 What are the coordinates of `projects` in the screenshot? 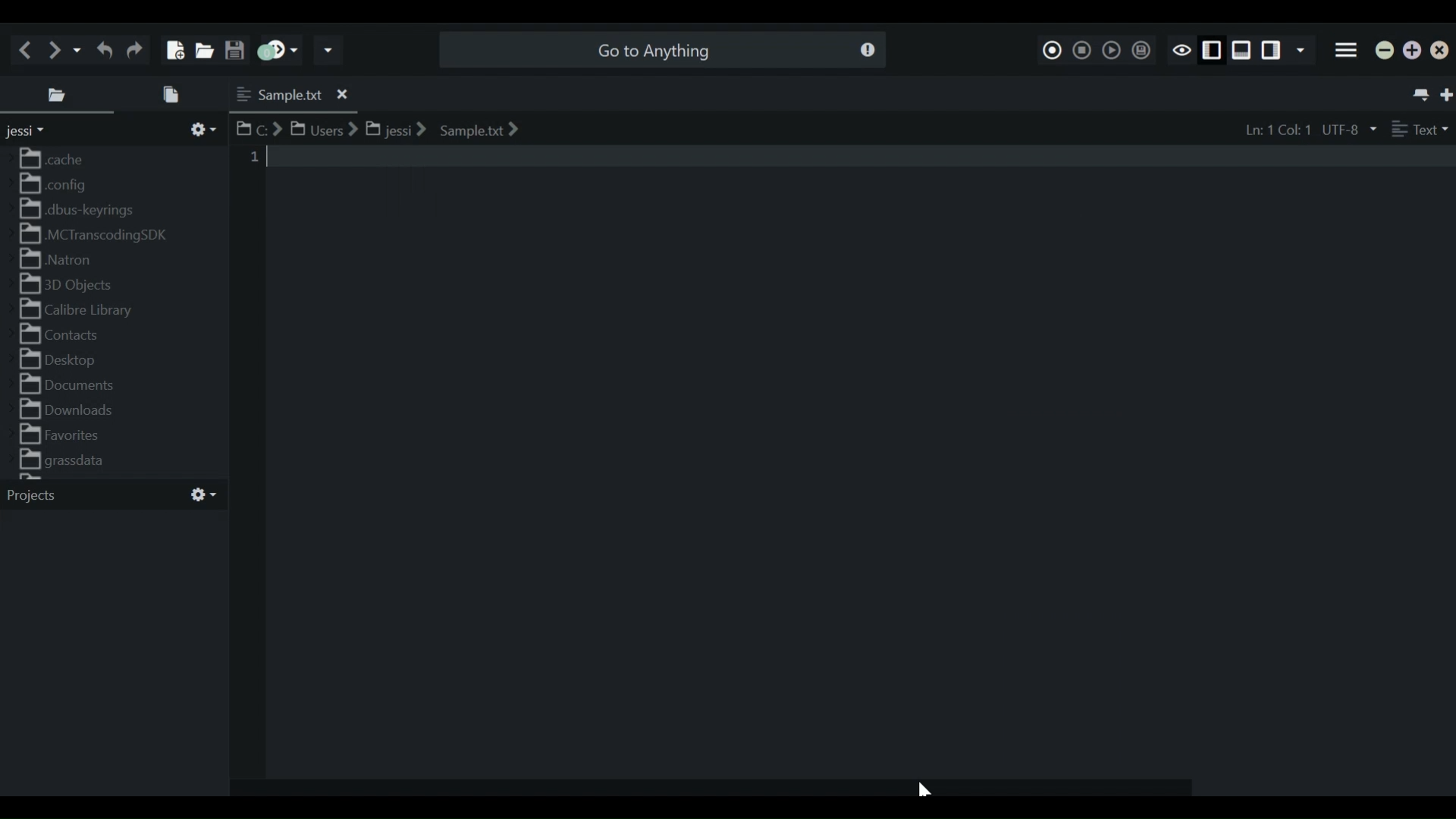 It's located at (108, 497).